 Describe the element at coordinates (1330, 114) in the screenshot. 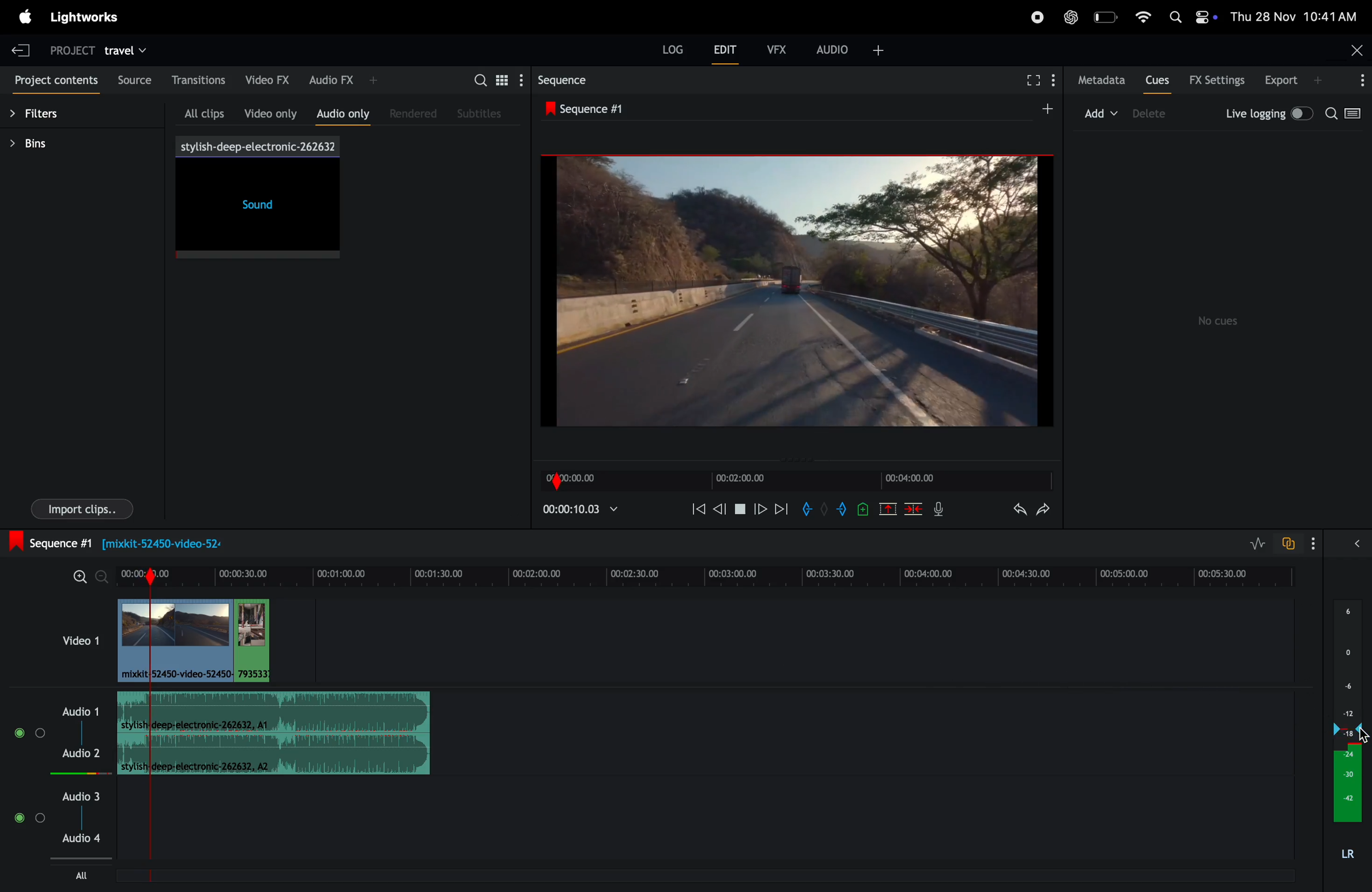

I see `search` at that location.